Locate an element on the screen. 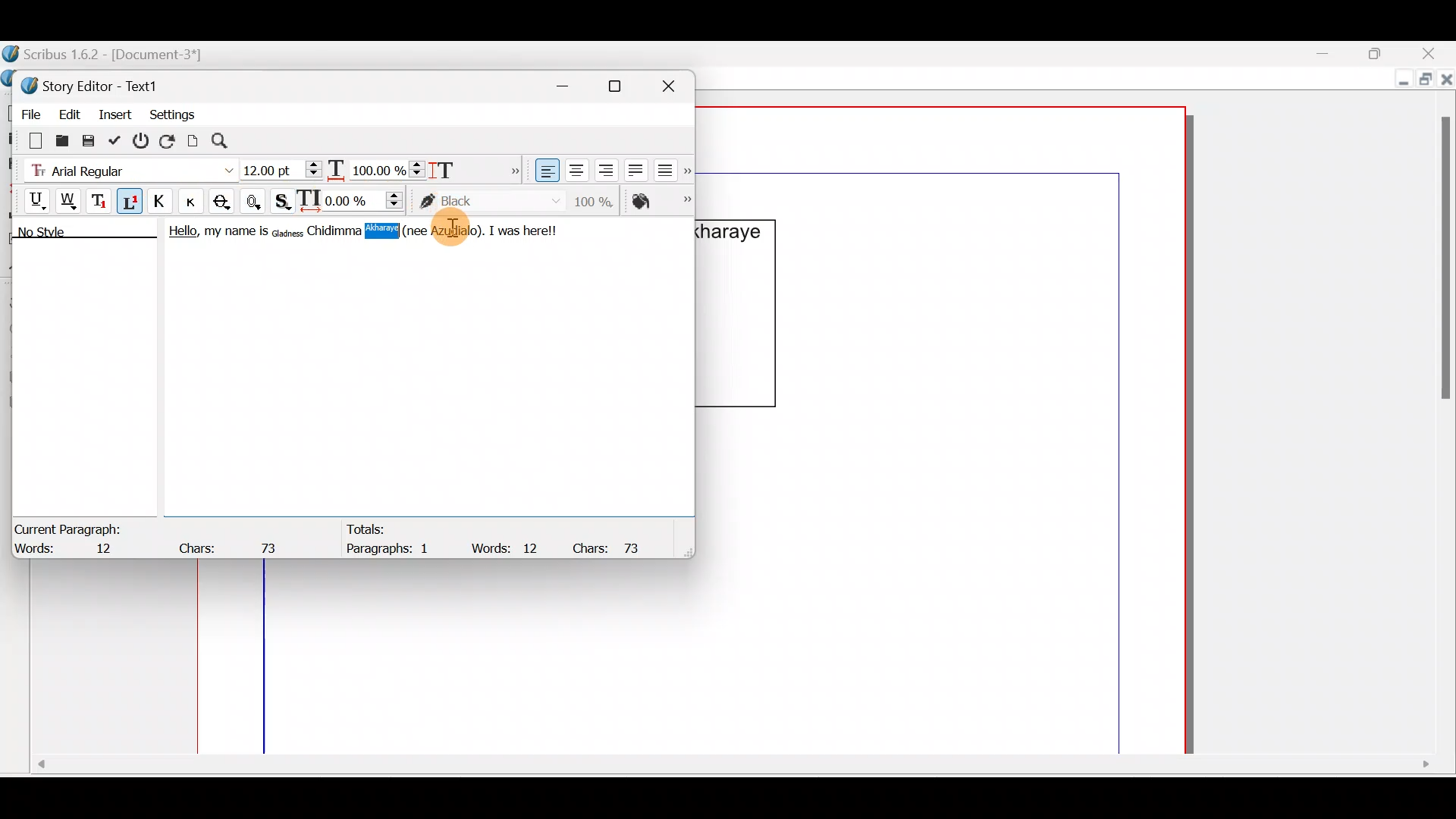 The image size is (1456, 819). Strike out is located at coordinates (226, 202).